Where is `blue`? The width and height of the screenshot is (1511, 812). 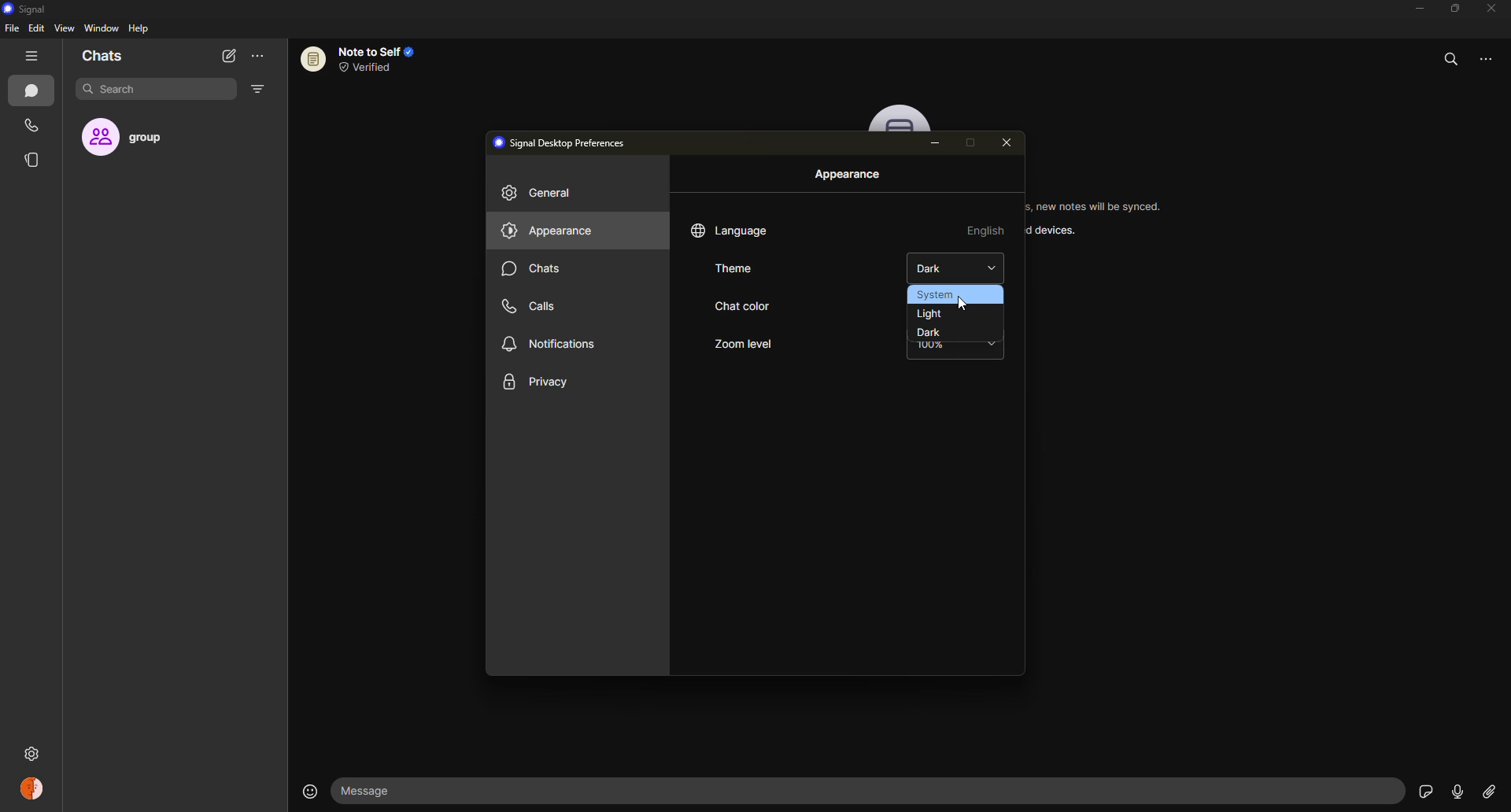 blue is located at coordinates (988, 304).